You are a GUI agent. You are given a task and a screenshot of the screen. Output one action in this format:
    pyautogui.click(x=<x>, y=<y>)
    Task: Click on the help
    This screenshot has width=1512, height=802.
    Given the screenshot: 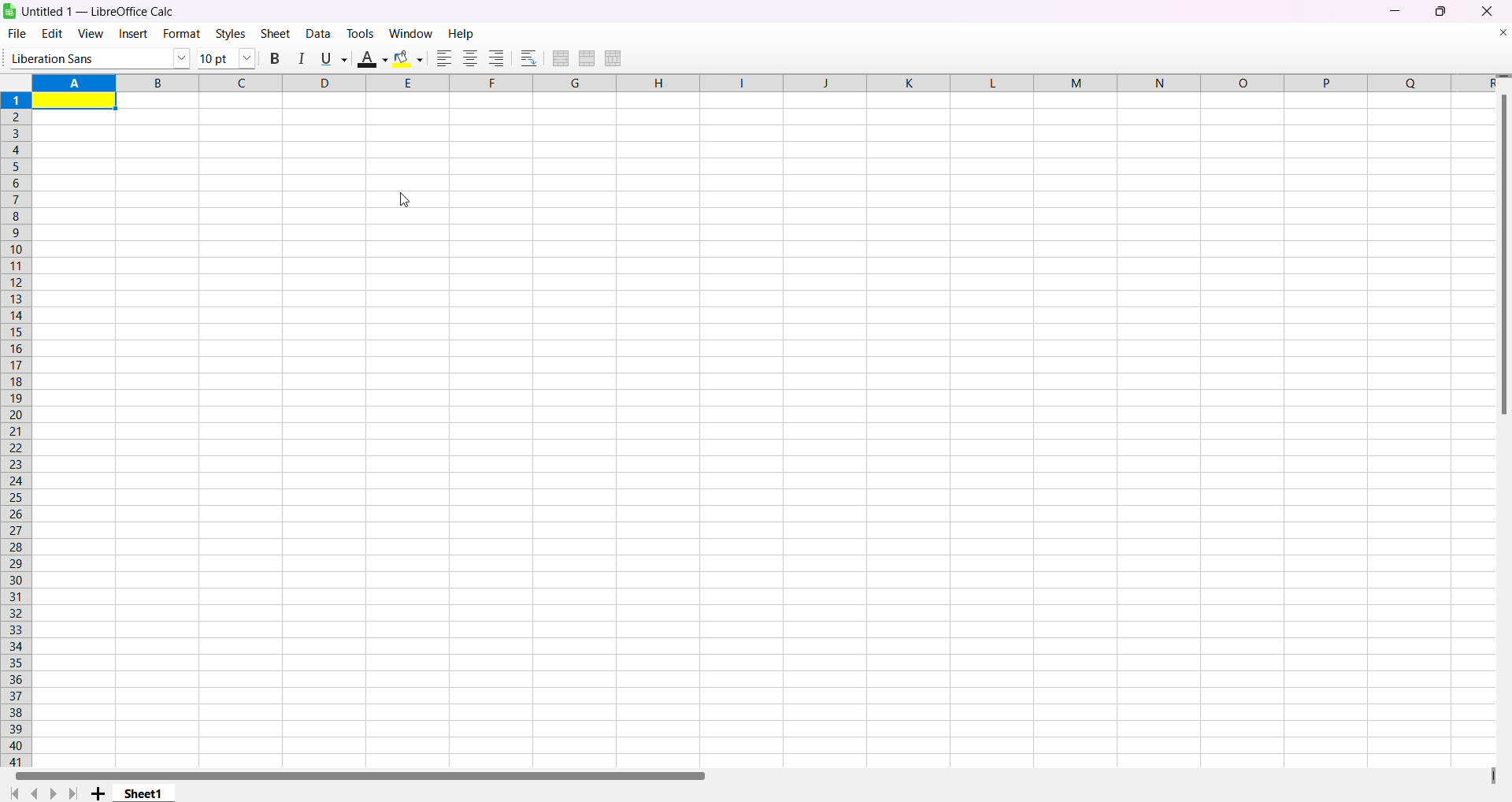 What is the action you would take?
    pyautogui.click(x=461, y=33)
    